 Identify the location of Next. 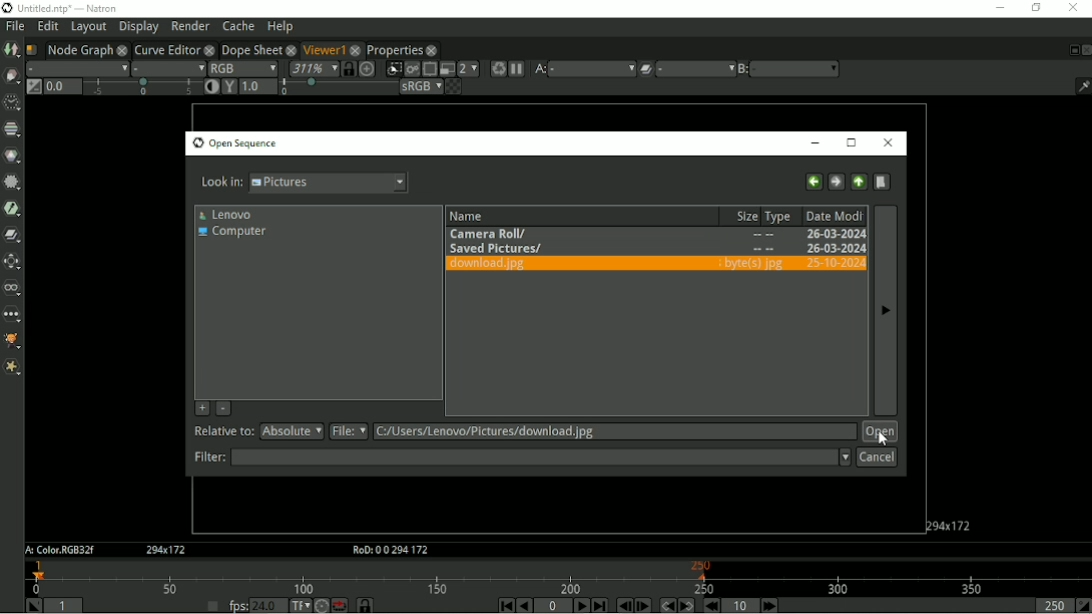
(886, 309).